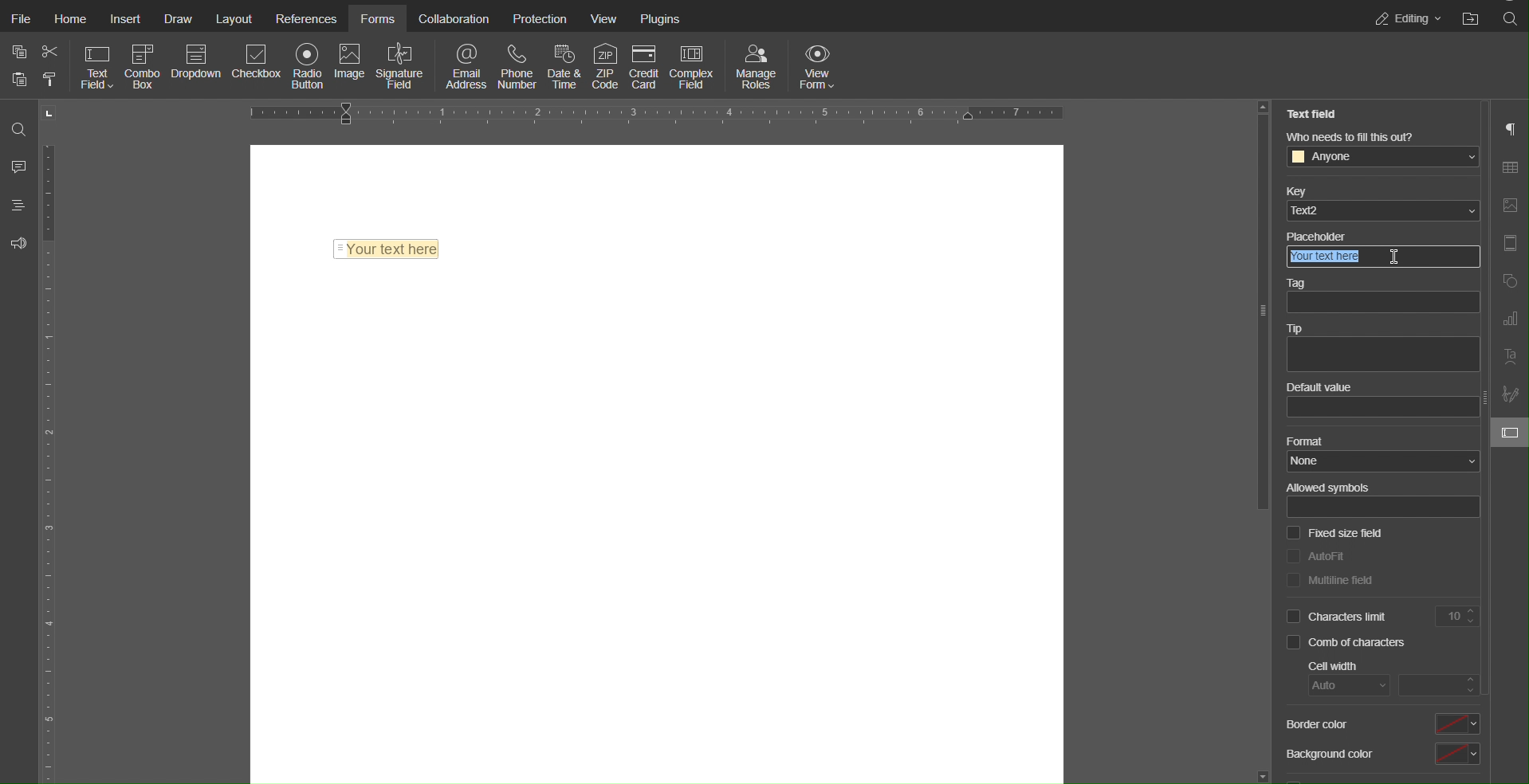 The image size is (1529, 784). Describe the element at coordinates (454, 20) in the screenshot. I see `Collaboration` at that location.